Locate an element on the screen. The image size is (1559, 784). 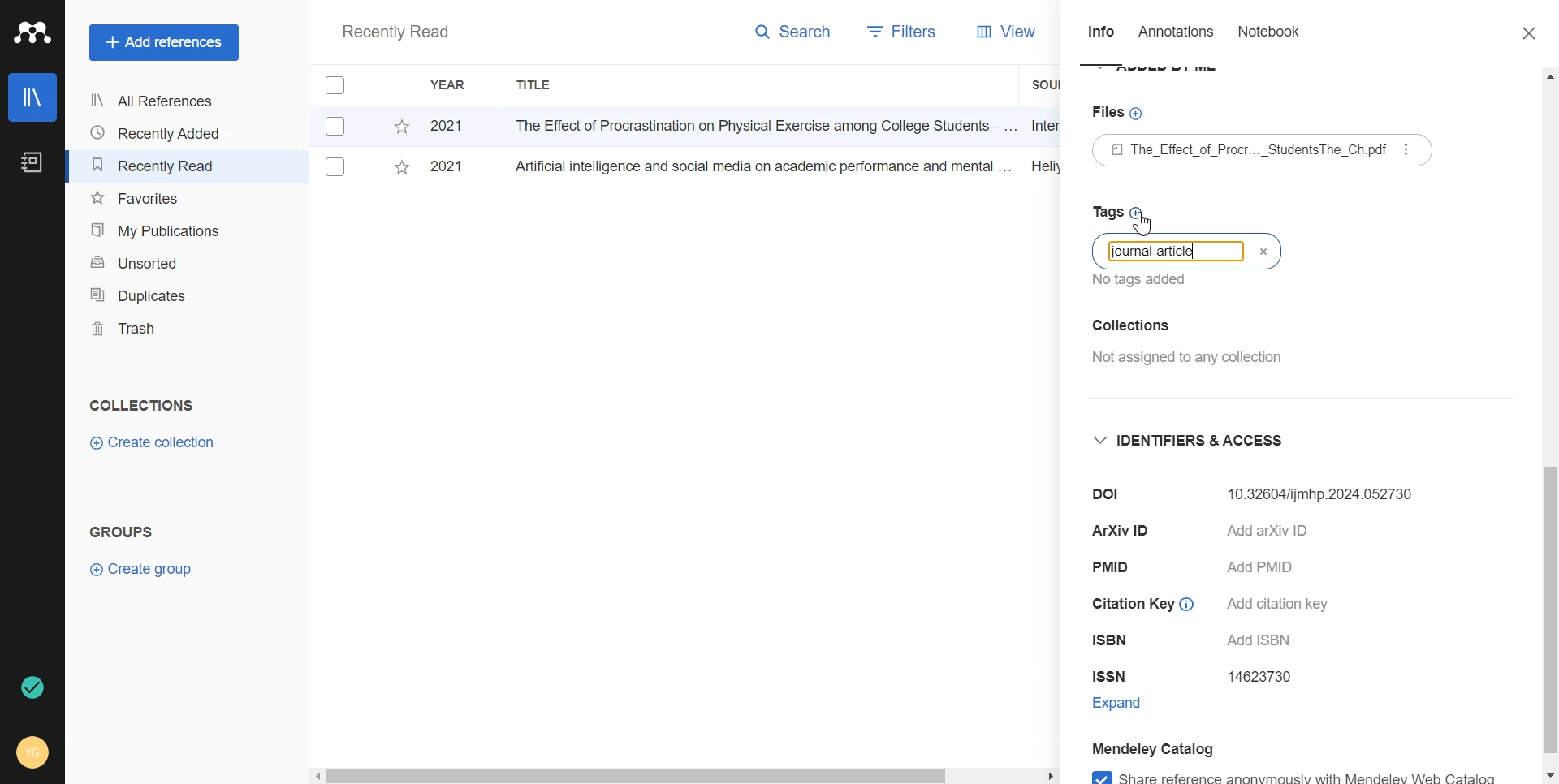
Recently Added is located at coordinates (158, 133).